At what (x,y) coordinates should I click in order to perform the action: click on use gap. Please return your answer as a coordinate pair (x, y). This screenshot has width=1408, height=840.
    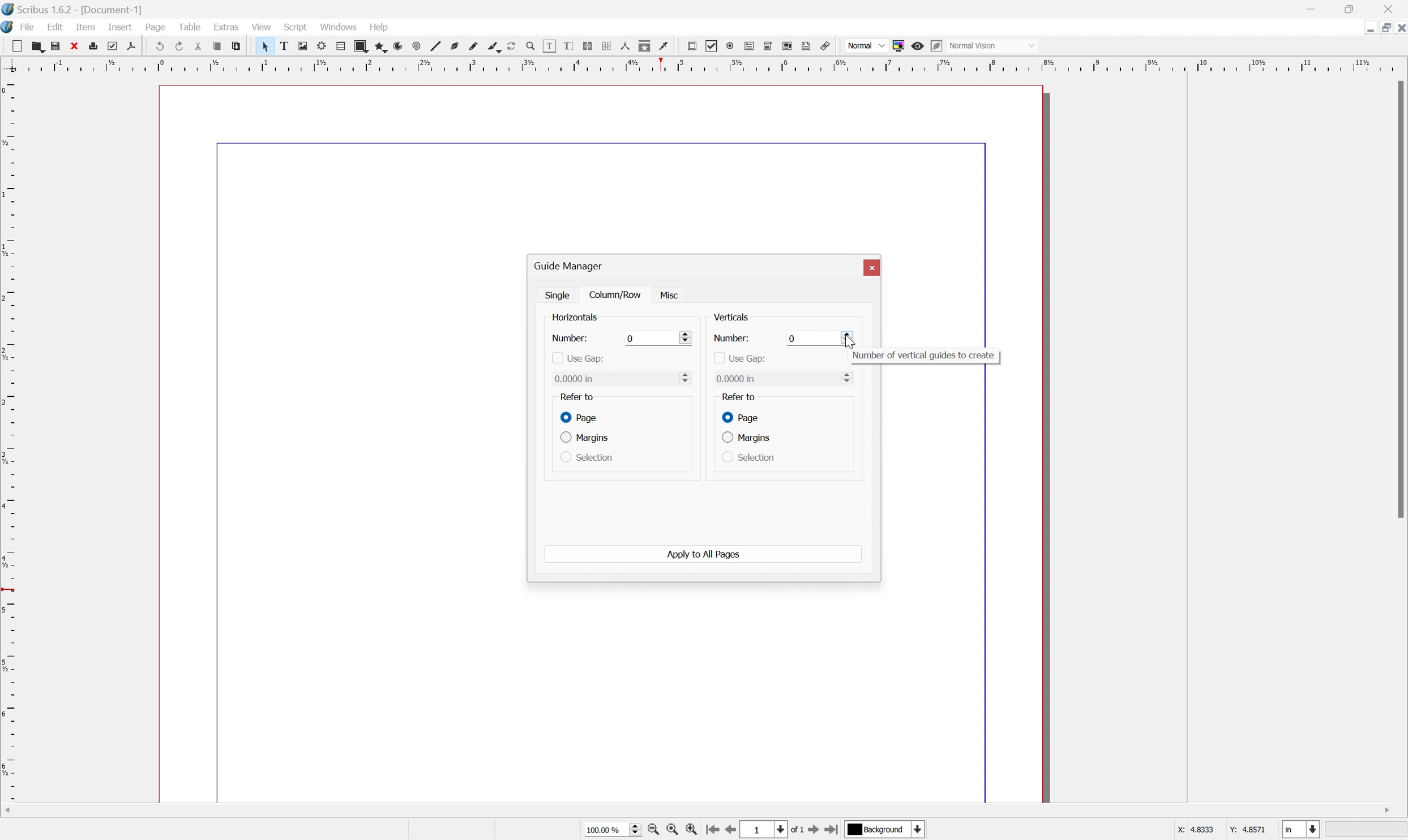
    Looking at the image, I should click on (577, 359).